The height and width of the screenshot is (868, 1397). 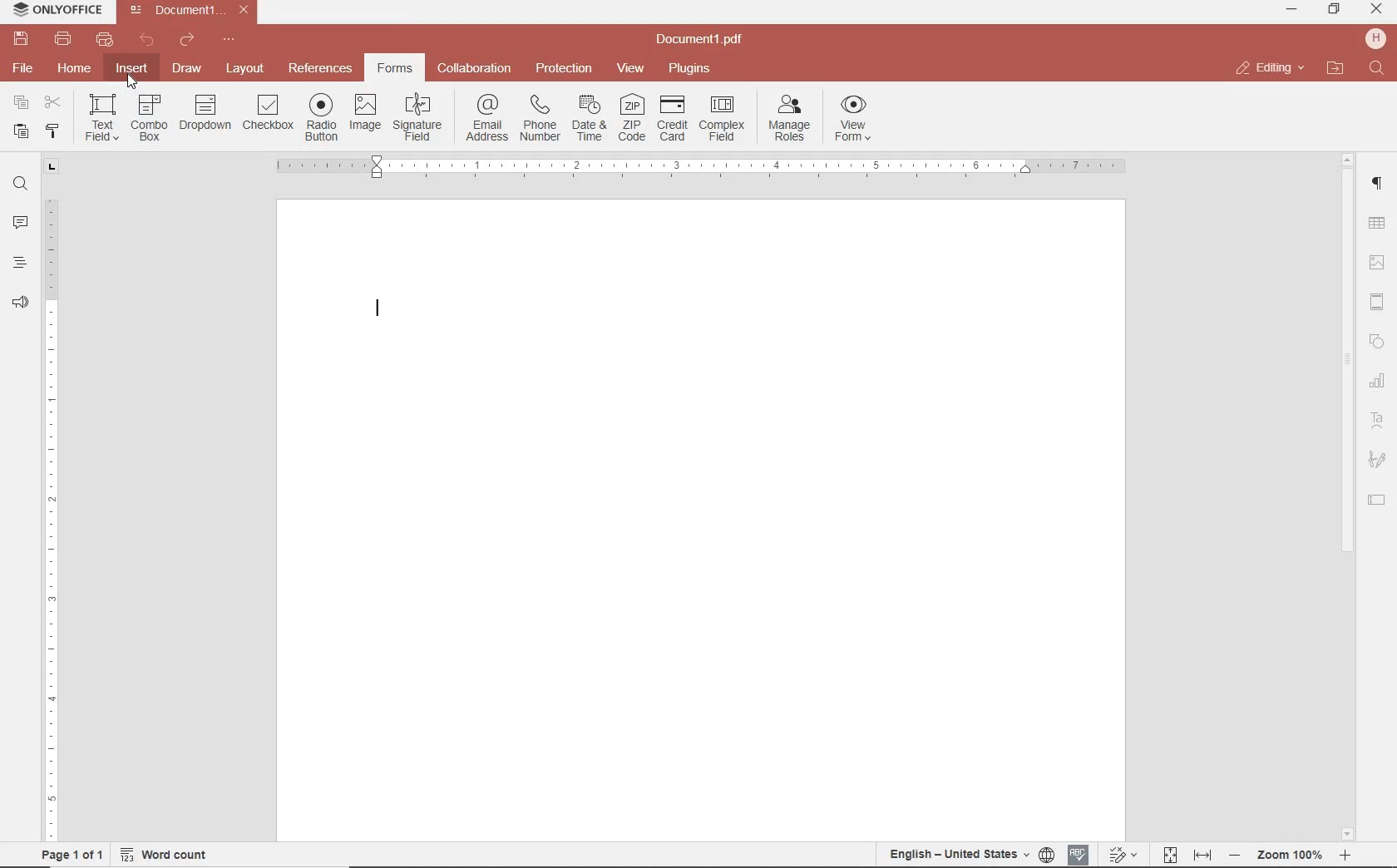 What do you see at coordinates (21, 104) in the screenshot?
I see `copy` at bounding box center [21, 104].